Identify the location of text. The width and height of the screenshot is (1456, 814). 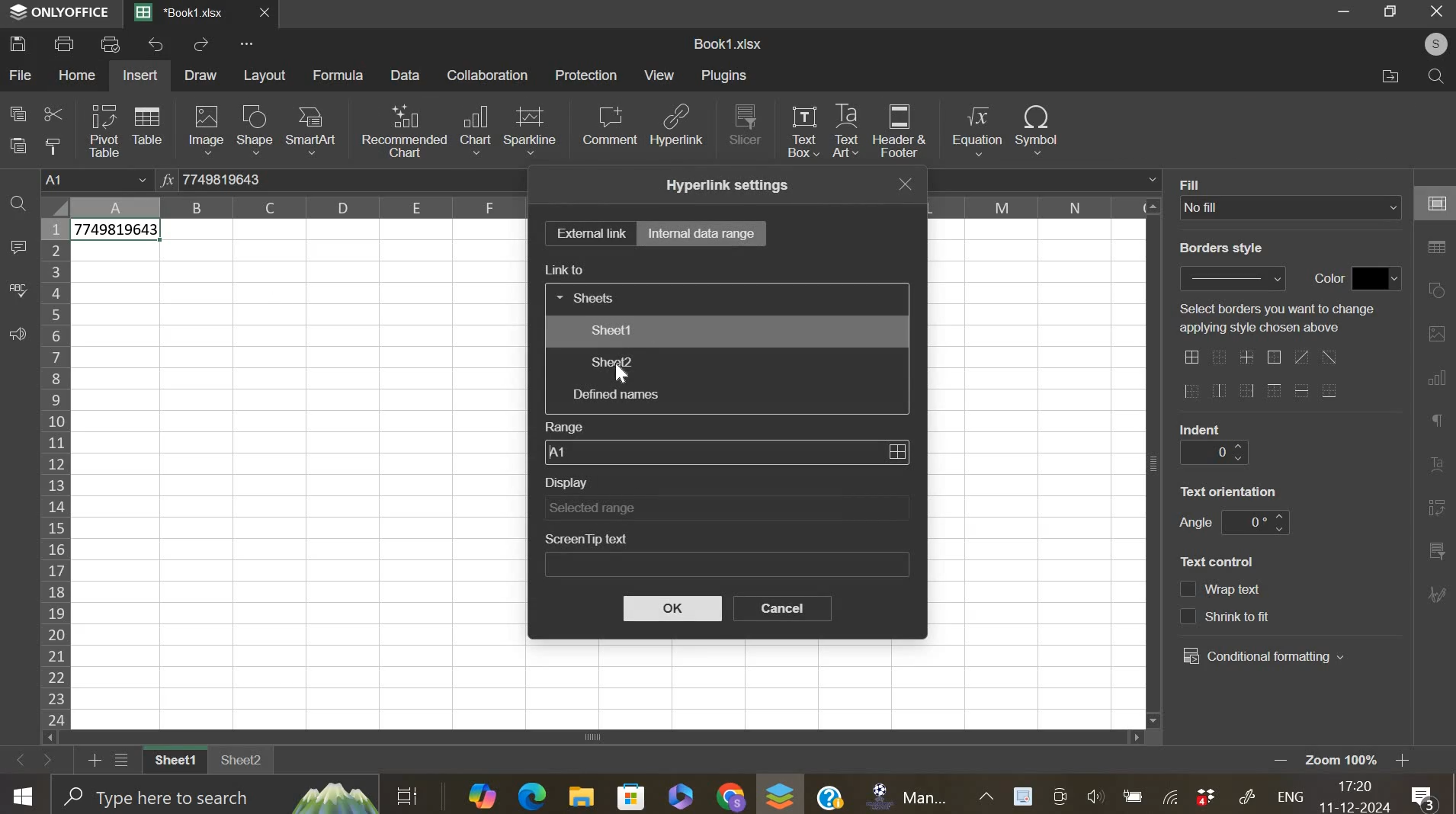
(1201, 428).